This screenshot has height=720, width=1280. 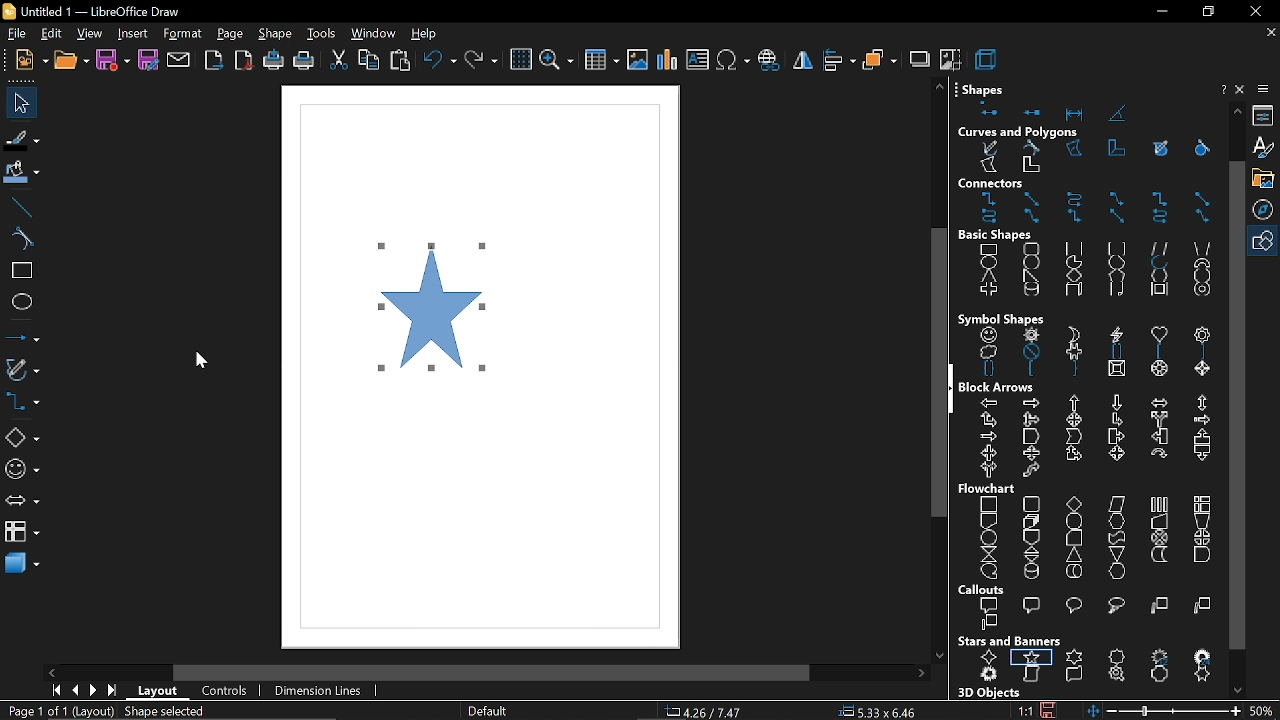 I want to click on resize share, so click(x=138, y=712).